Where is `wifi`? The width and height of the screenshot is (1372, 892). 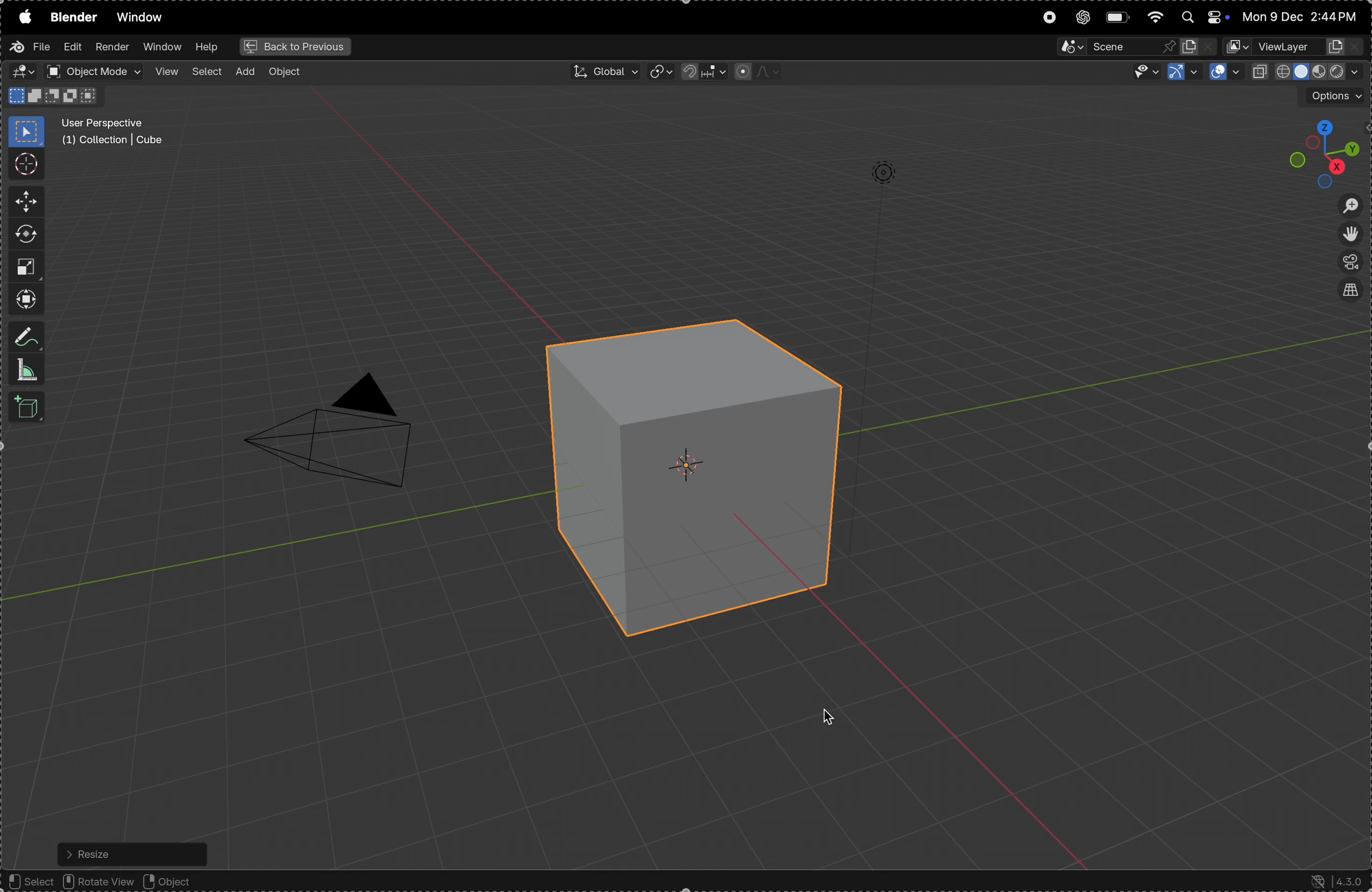 wifi is located at coordinates (1155, 17).